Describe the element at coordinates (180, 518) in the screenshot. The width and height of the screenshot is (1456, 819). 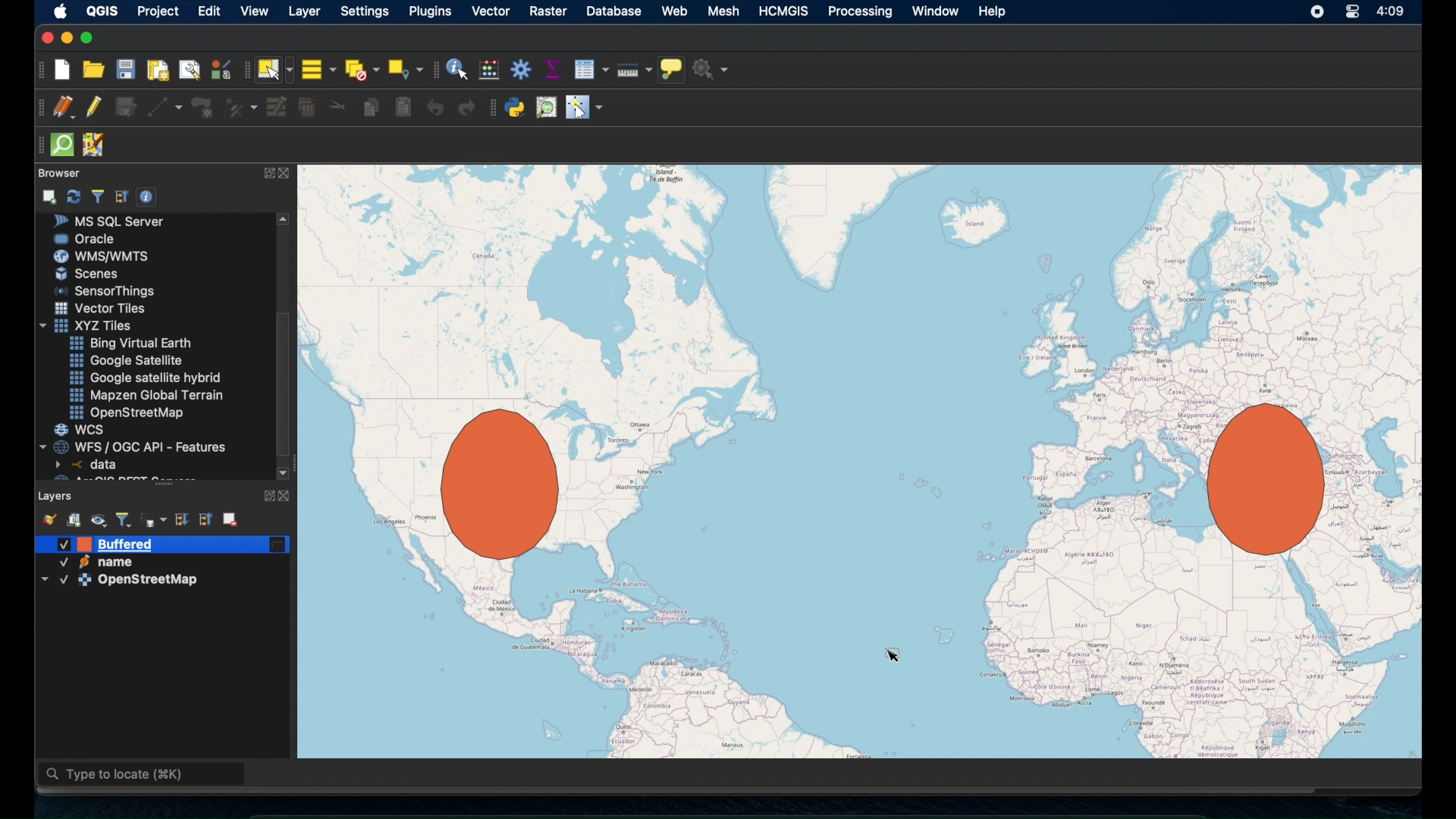
I see `expand all` at that location.